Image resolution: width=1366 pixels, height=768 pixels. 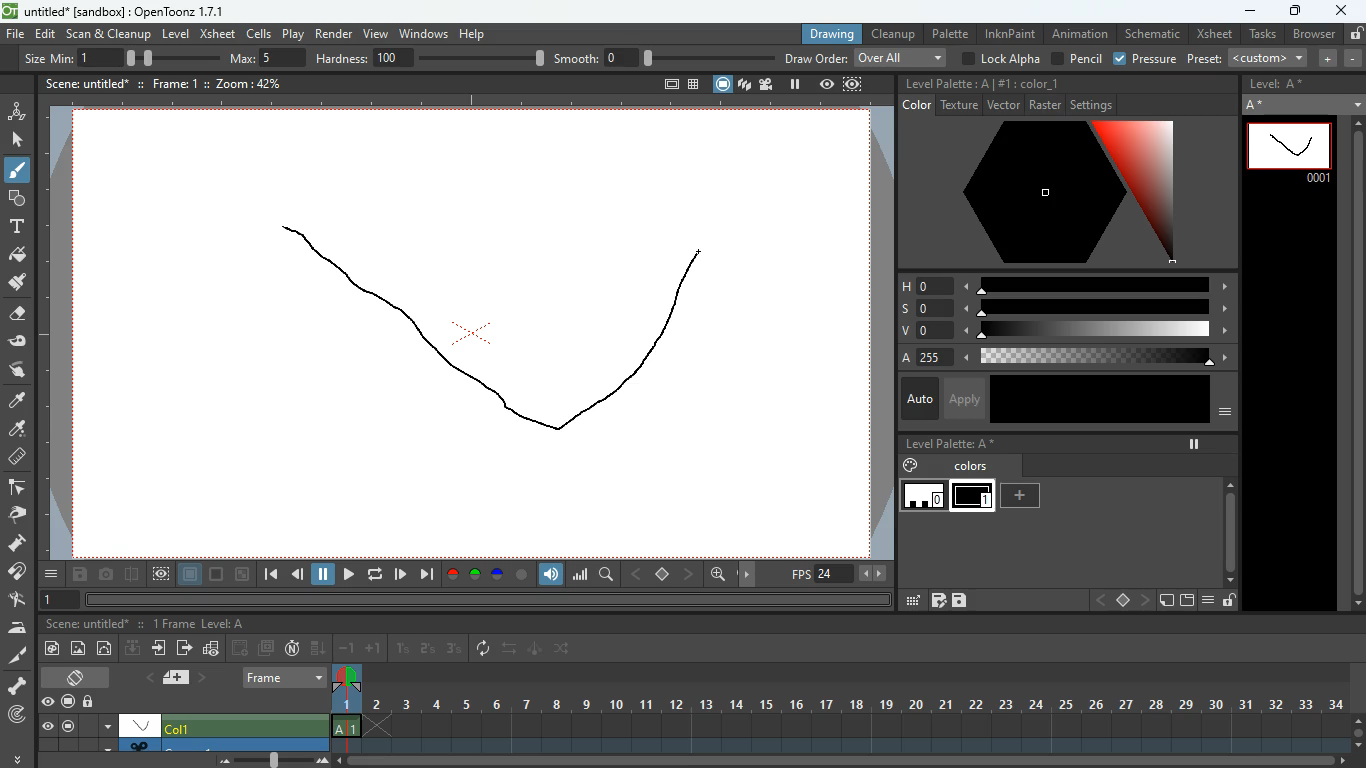 I want to click on tasks, so click(x=1261, y=35).